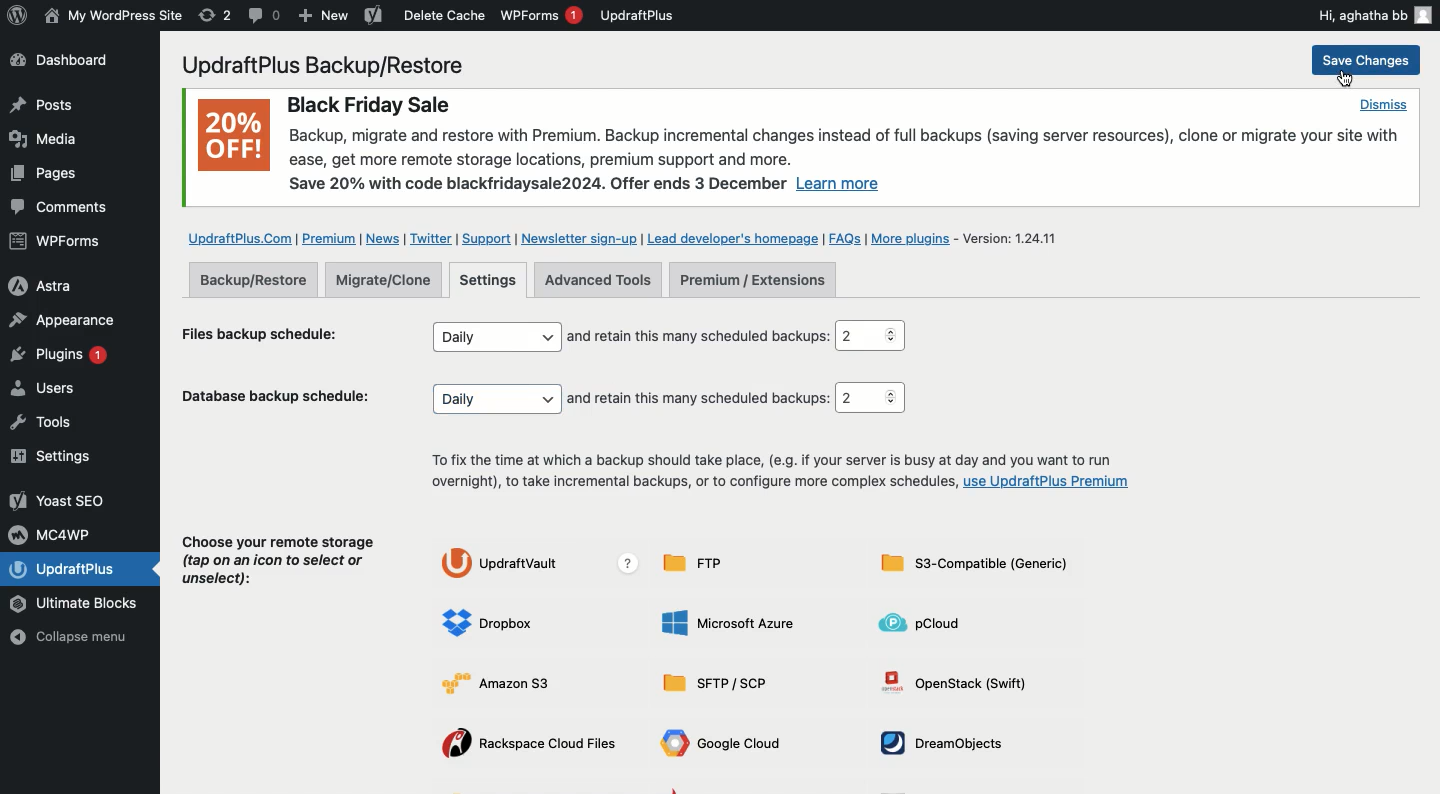  What do you see at coordinates (77, 639) in the screenshot?
I see `Collapse menu` at bounding box center [77, 639].